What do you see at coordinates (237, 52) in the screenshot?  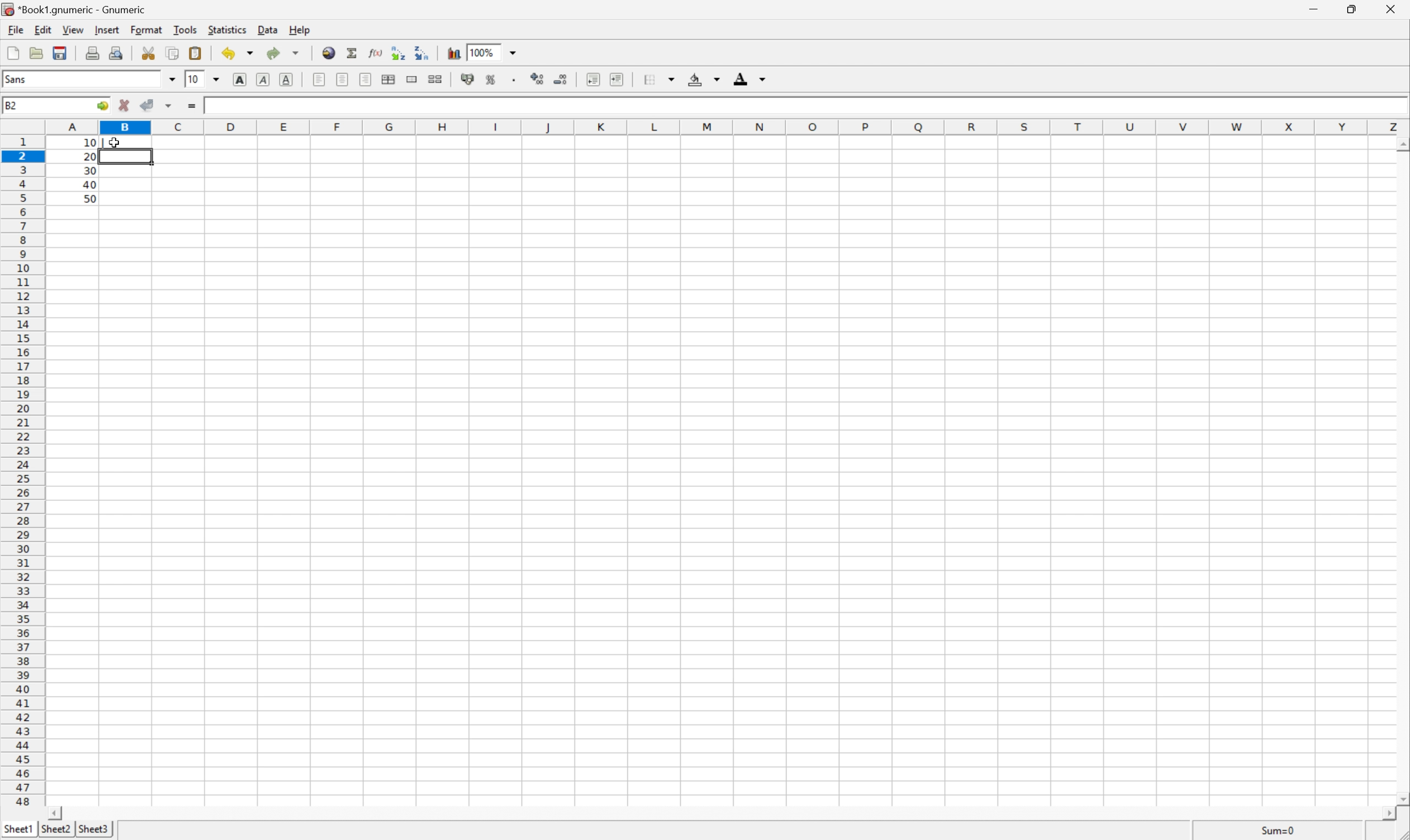 I see `Undo` at bounding box center [237, 52].